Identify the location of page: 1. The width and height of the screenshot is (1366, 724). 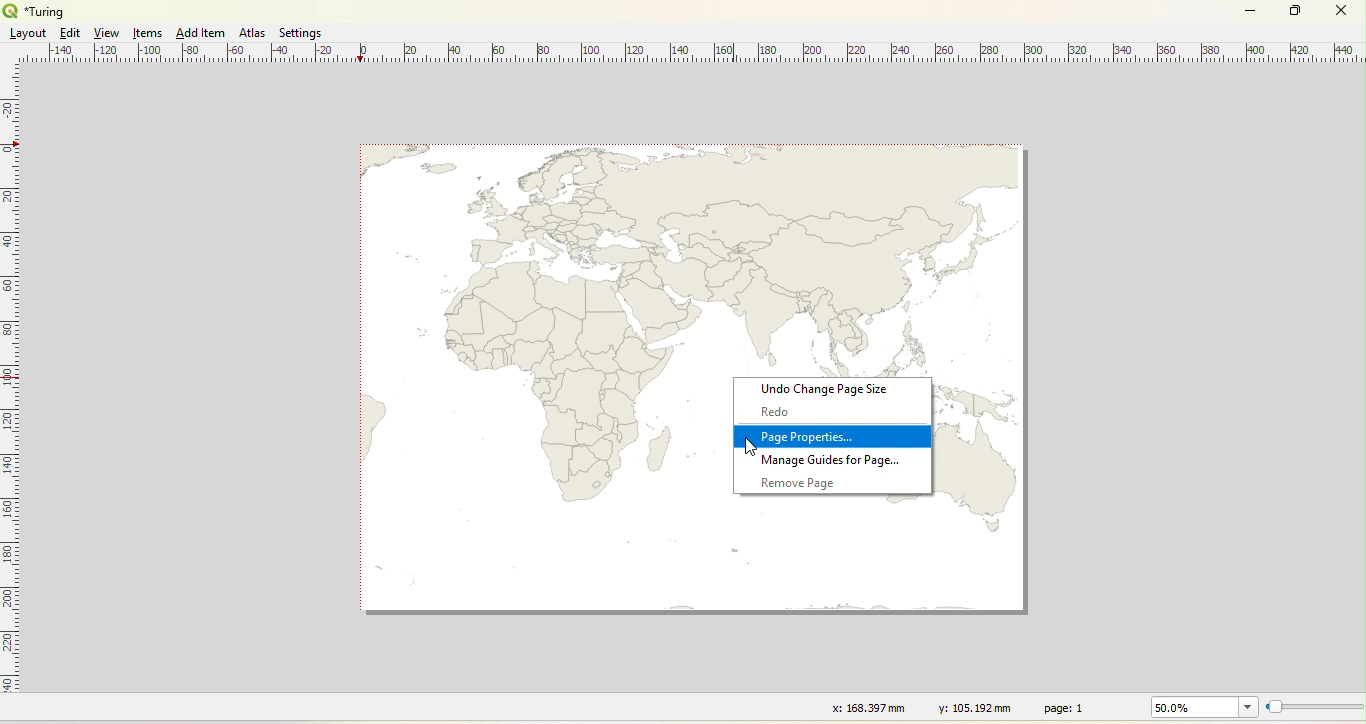
(1067, 707).